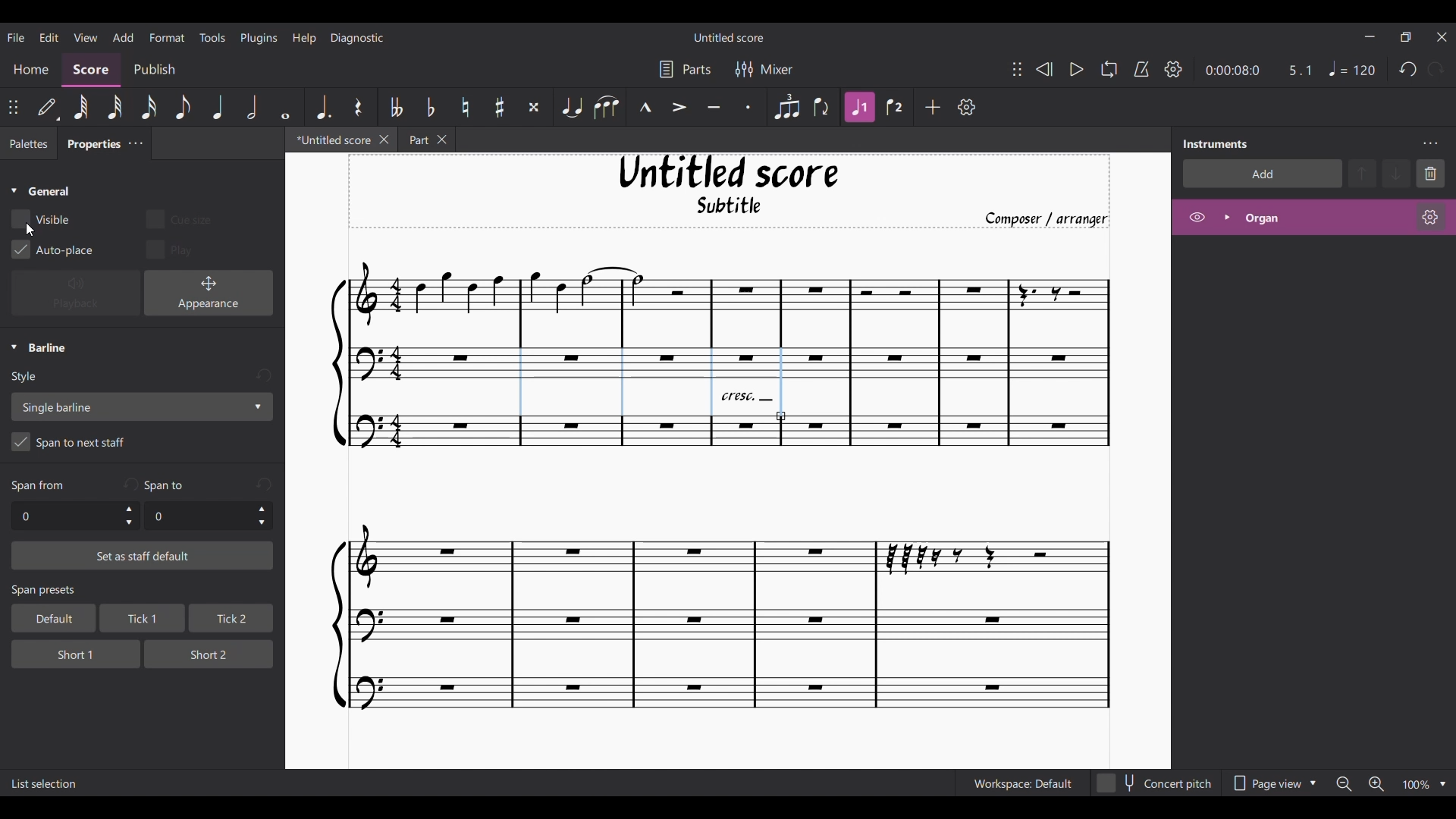  What do you see at coordinates (786, 107) in the screenshot?
I see `Tuplet` at bounding box center [786, 107].